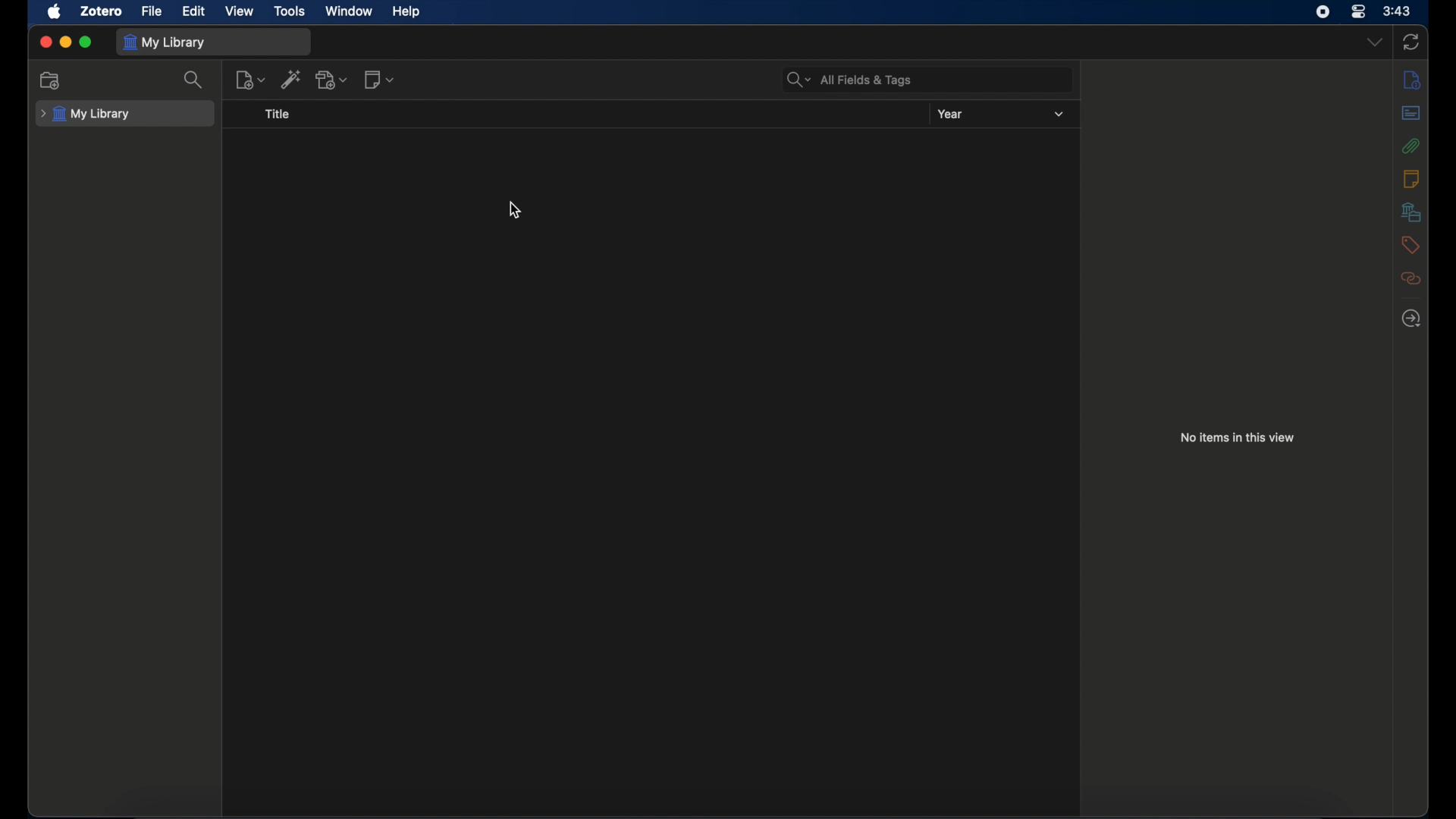  What do you see at coordinates (850, 80) in the screenshot?
I see `search bar` at bounding box center [850, 80].